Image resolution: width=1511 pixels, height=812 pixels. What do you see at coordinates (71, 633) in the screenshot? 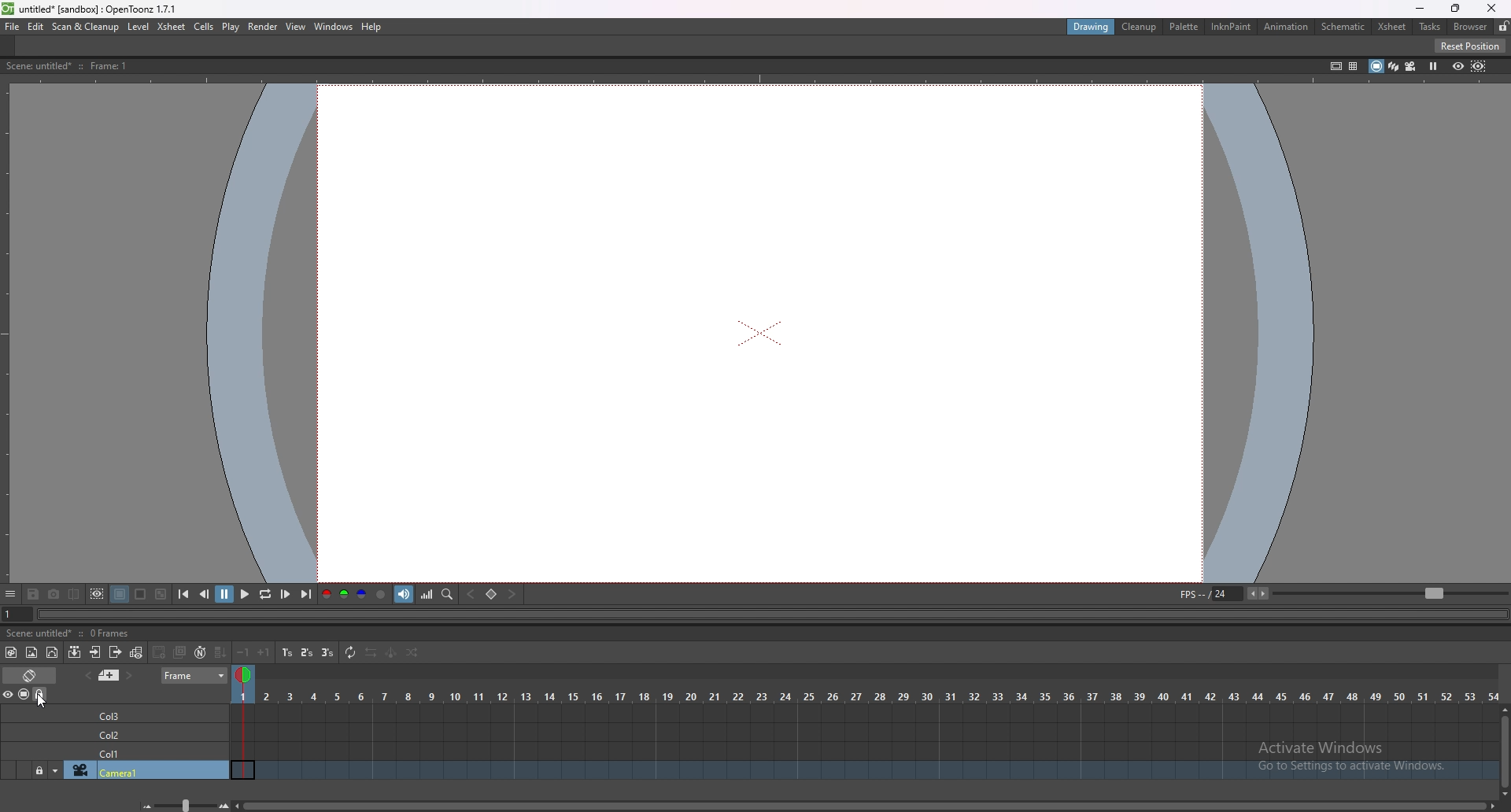
I see `description` at bounding box center [71, 633].